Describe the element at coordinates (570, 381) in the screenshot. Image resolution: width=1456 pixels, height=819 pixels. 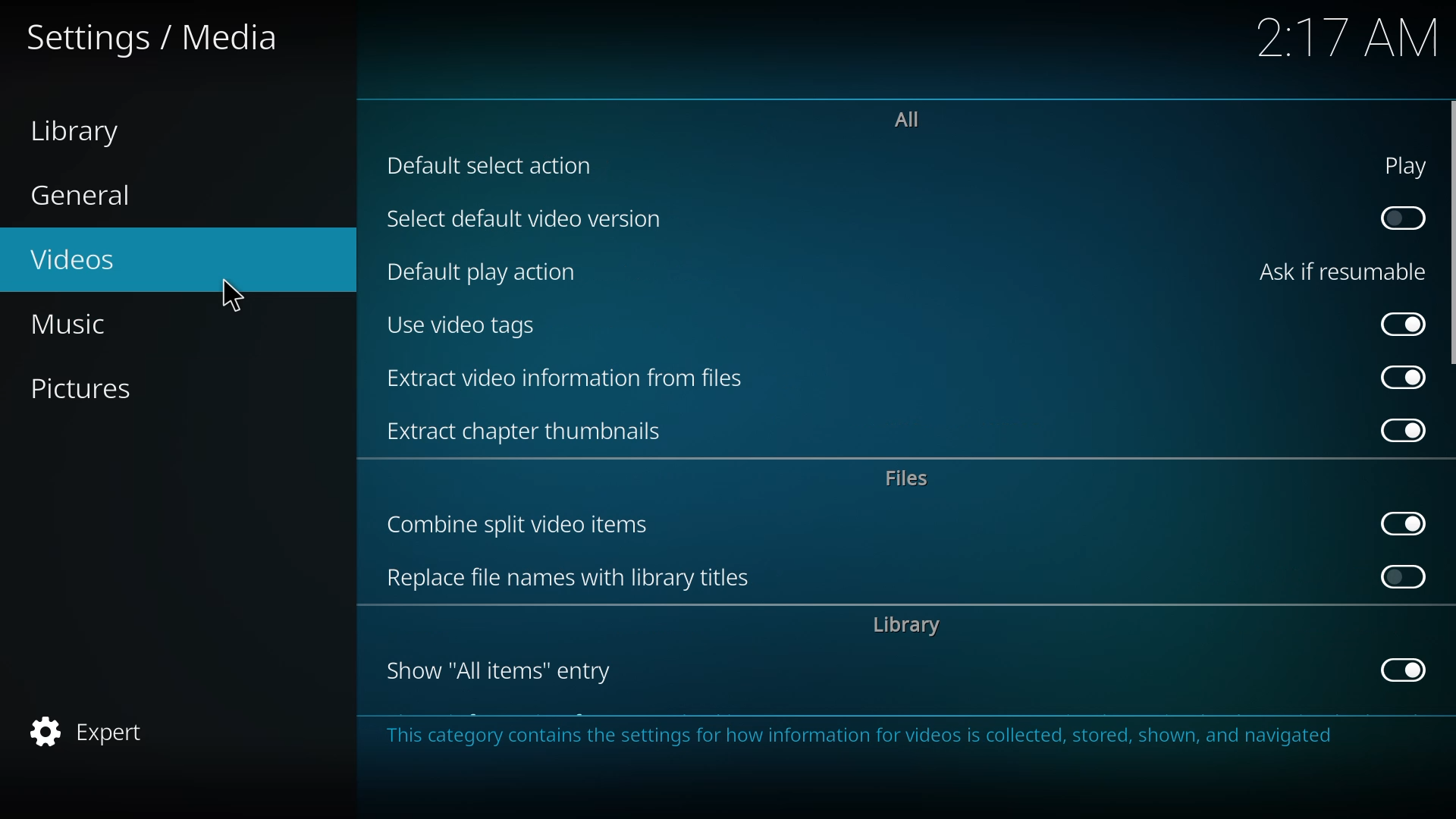
I see `extract video information from files` at that location.